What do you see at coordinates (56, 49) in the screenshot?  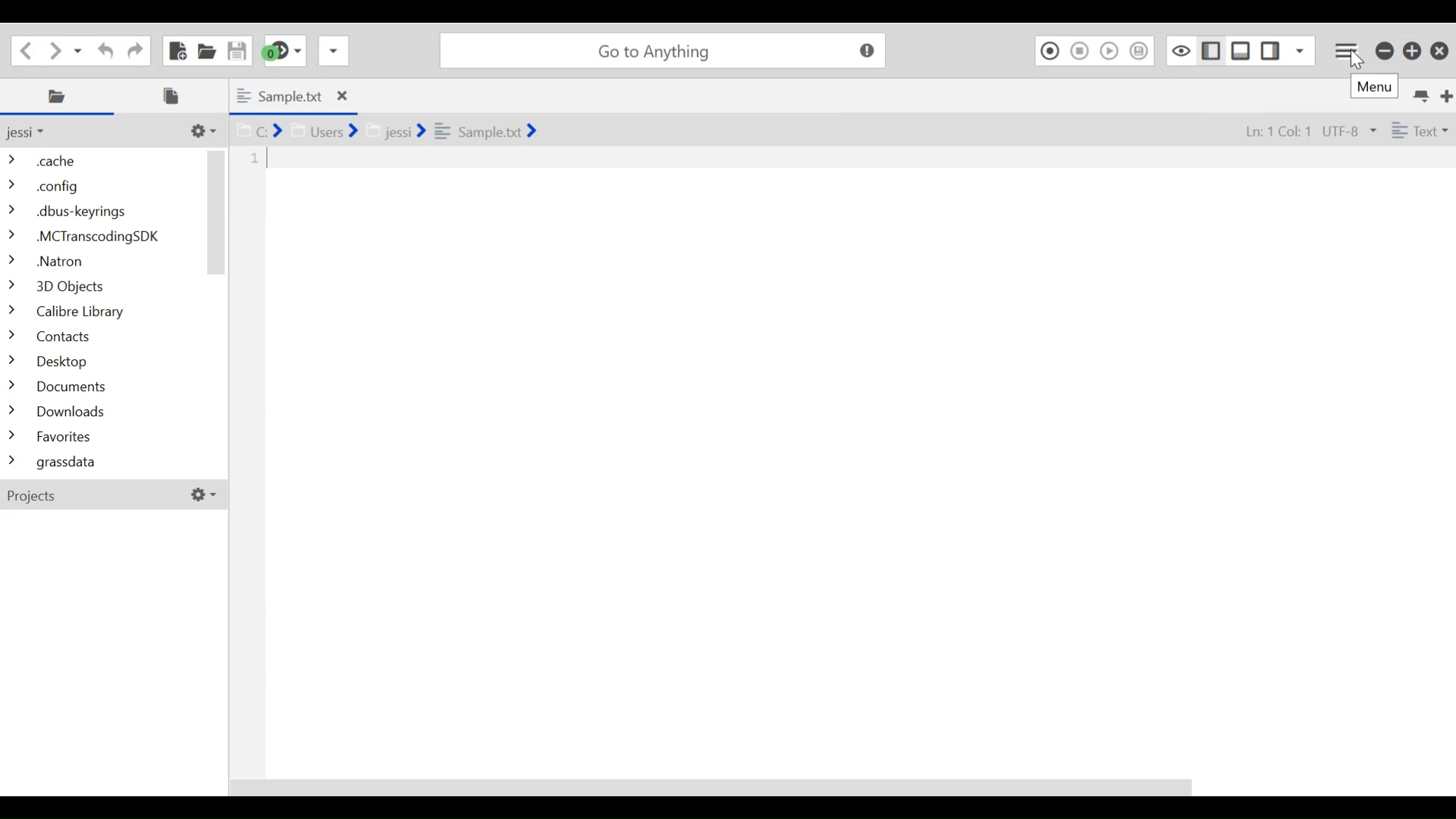 I see `Go forward one location` at bounding box center [56, 49].